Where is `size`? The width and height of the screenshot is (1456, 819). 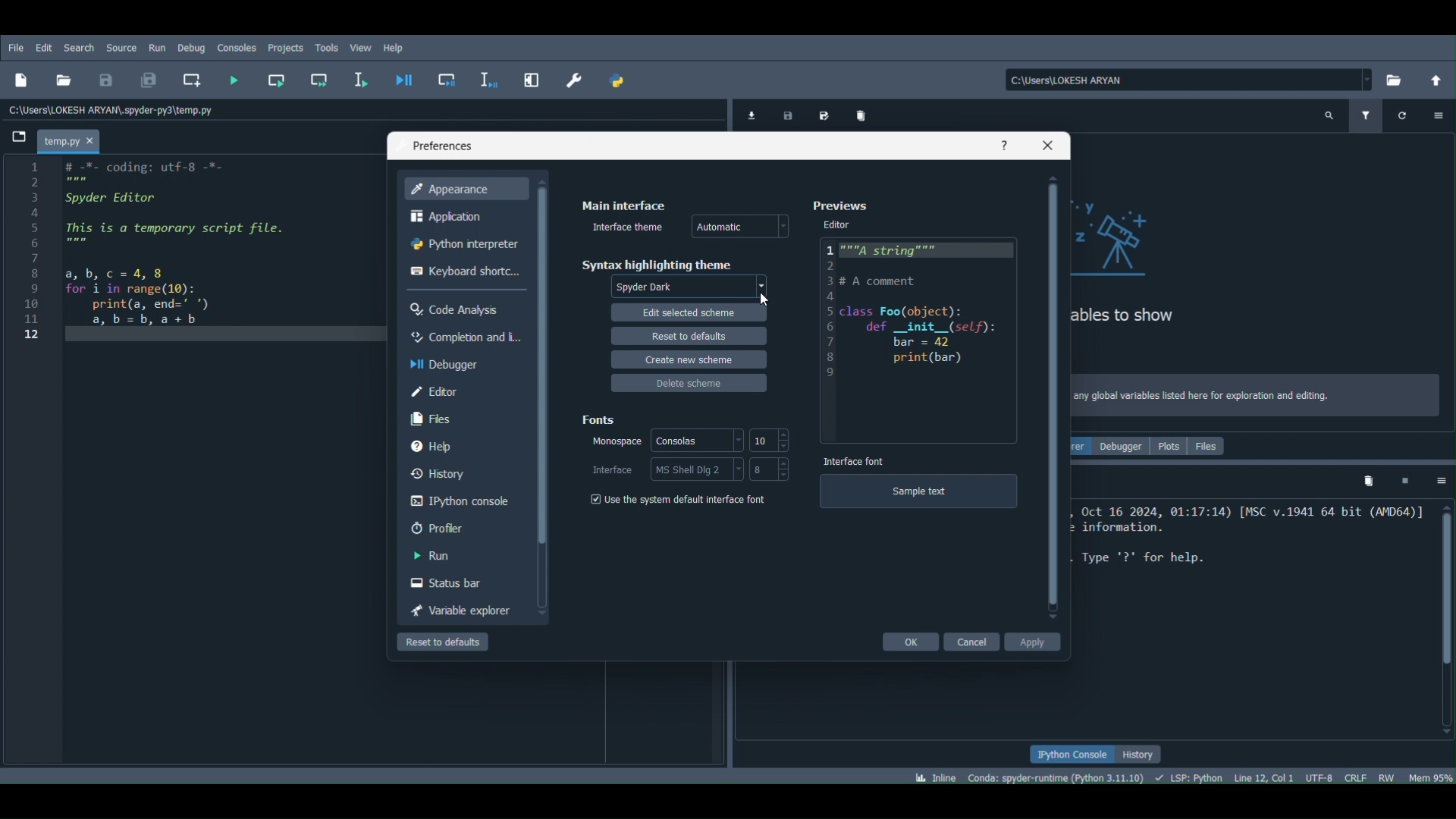
size is located at coordinates (773, 438).